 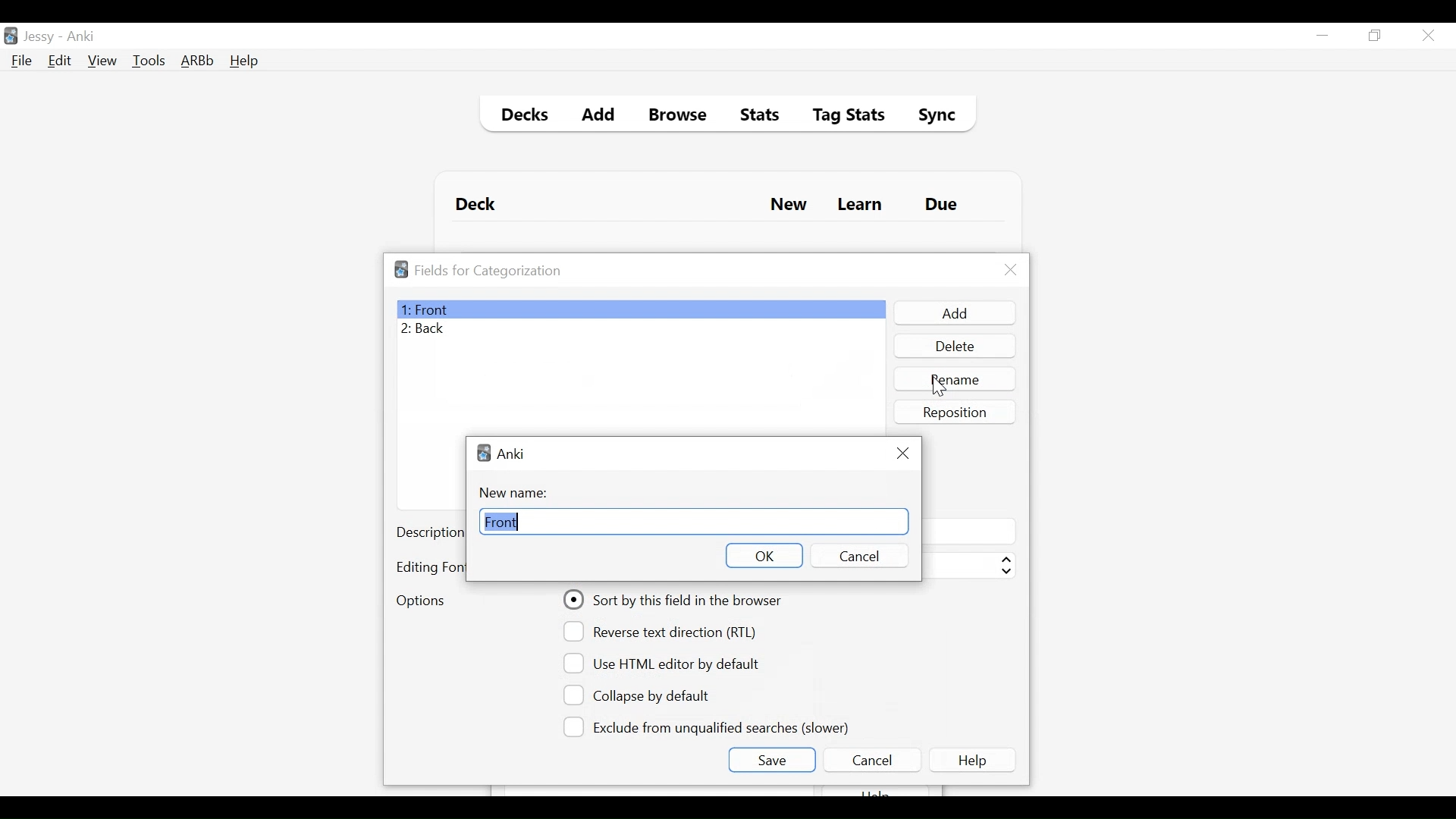 What do you see at coordinates (518, 493) in the screenshot?
I see `New Name` at bounding box center [518, 493].